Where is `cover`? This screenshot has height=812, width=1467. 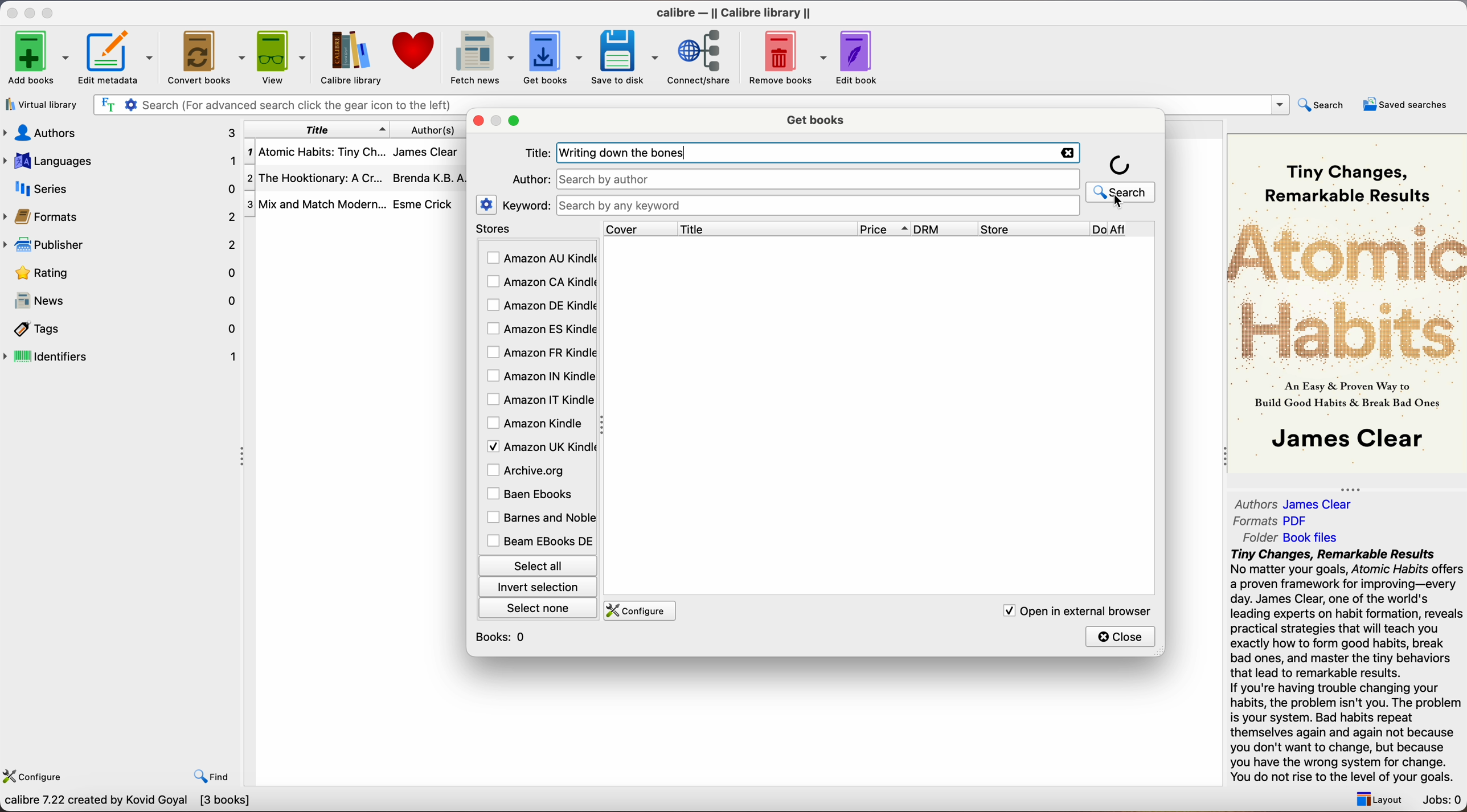 cover is located at coordinates (640, 228).